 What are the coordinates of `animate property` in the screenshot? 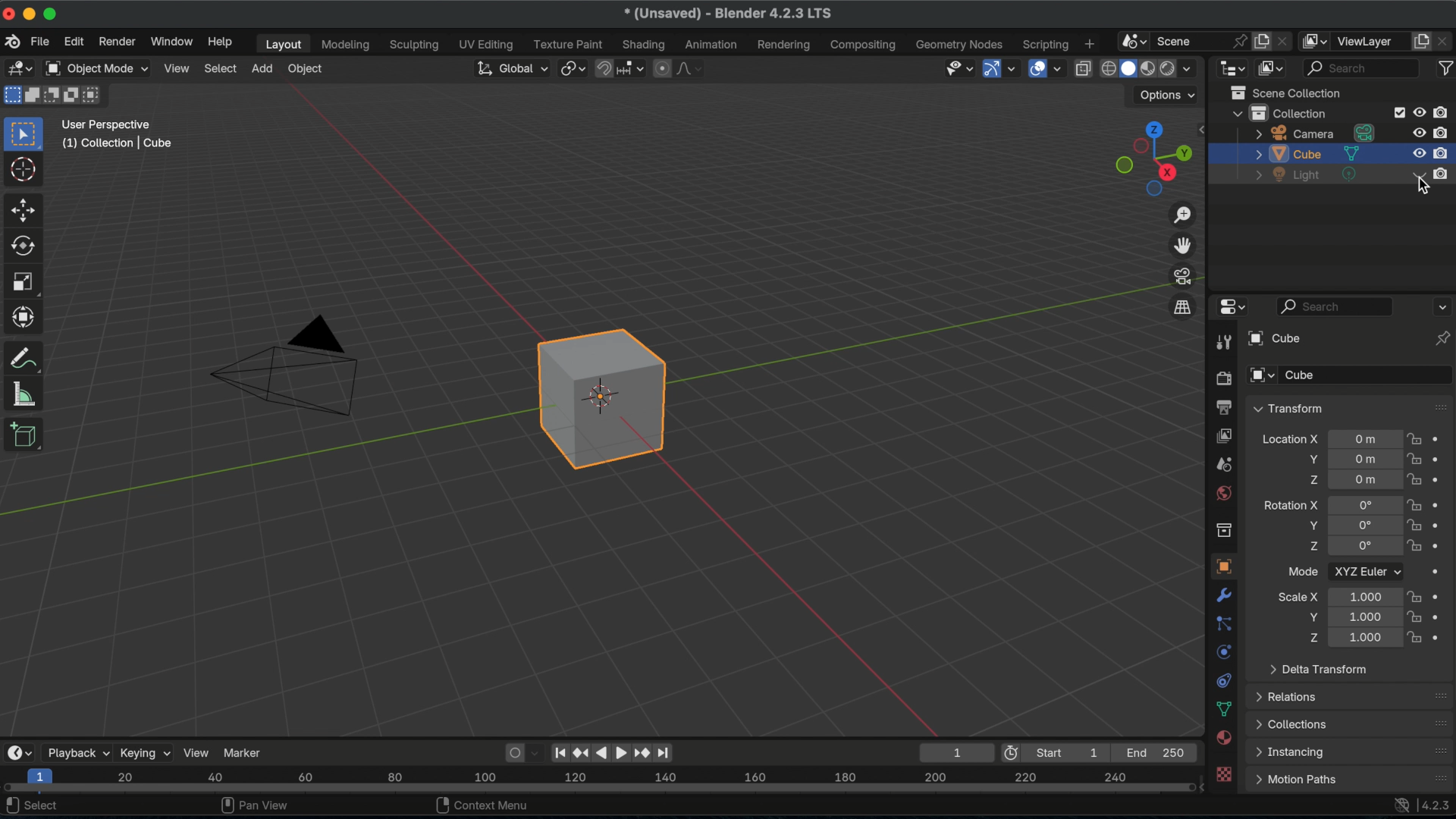 It's located at (1442, 436).